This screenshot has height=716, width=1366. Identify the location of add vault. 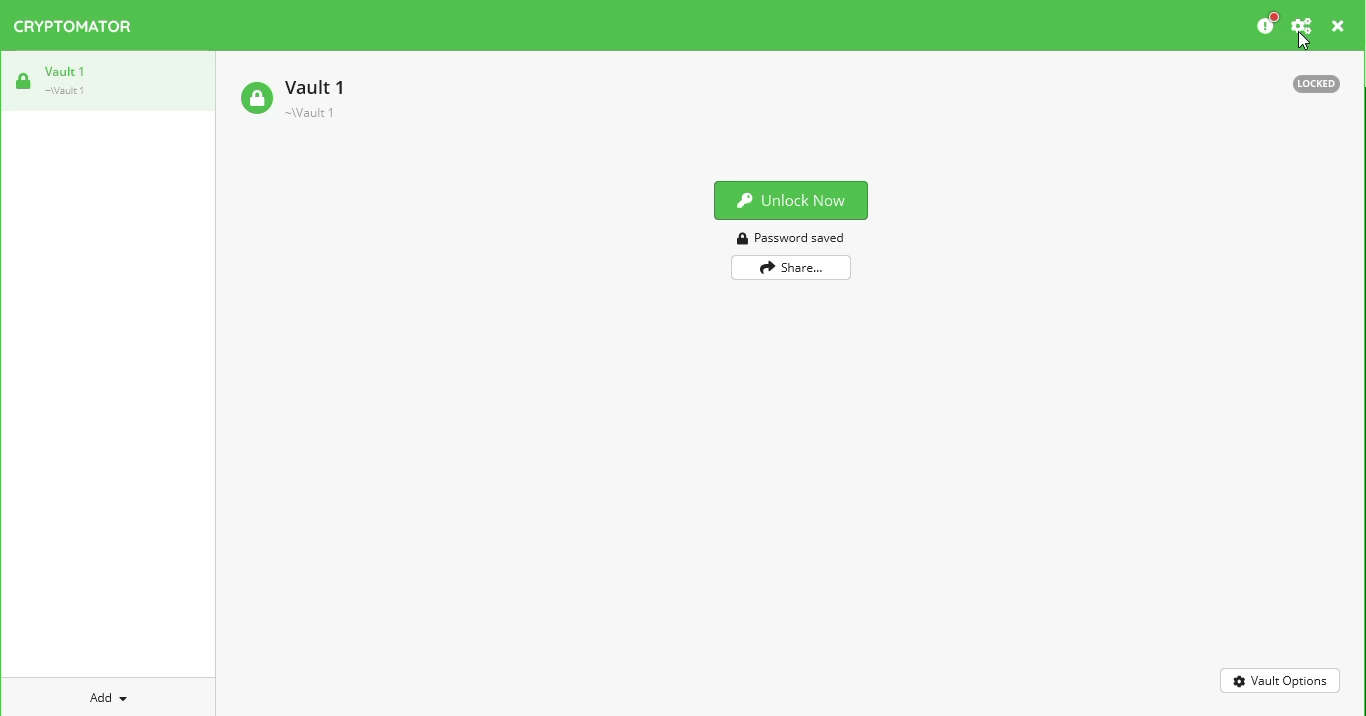
(113, 698).